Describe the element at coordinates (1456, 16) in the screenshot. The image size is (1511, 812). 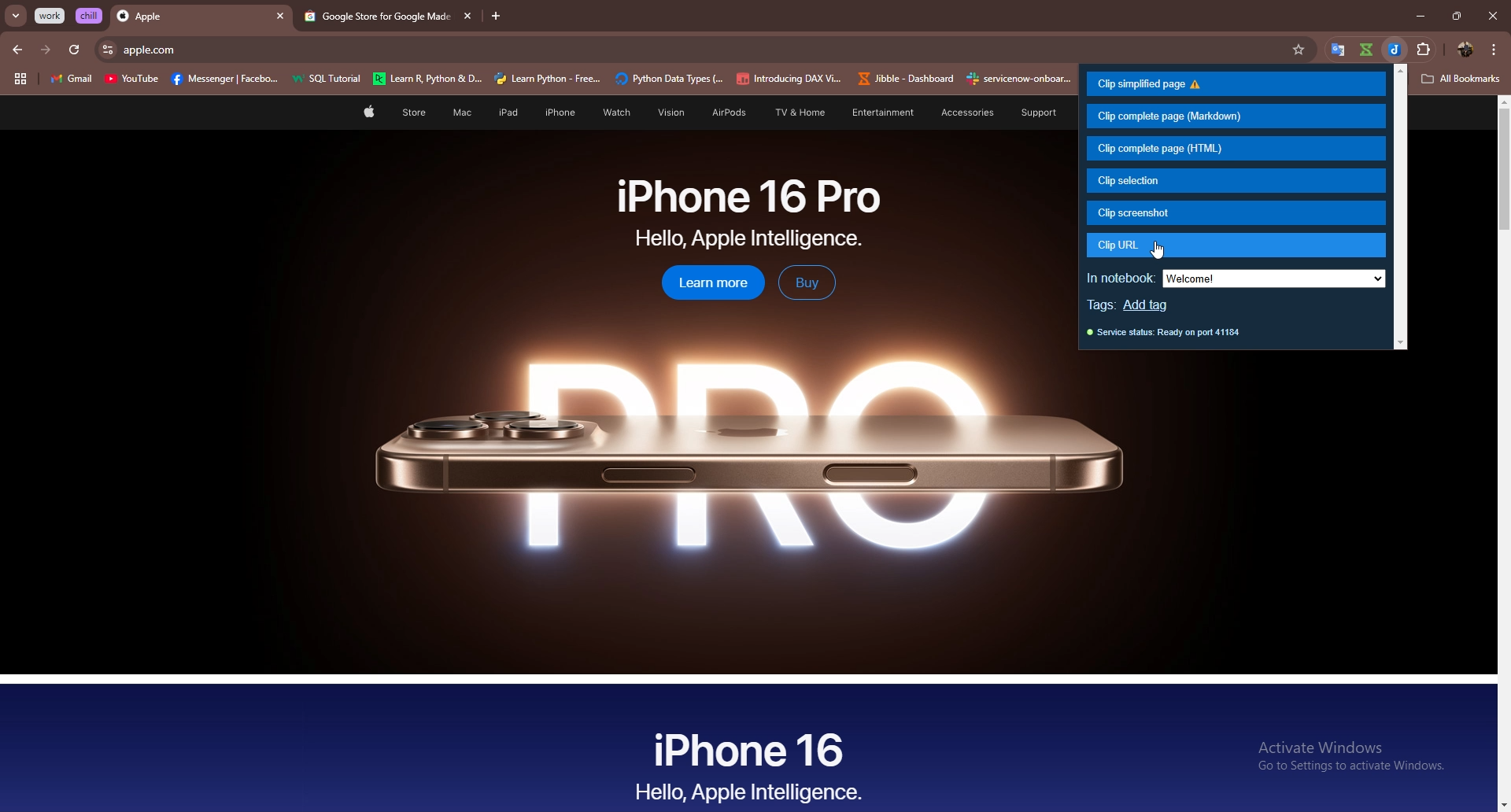
I see `resize` at that location.